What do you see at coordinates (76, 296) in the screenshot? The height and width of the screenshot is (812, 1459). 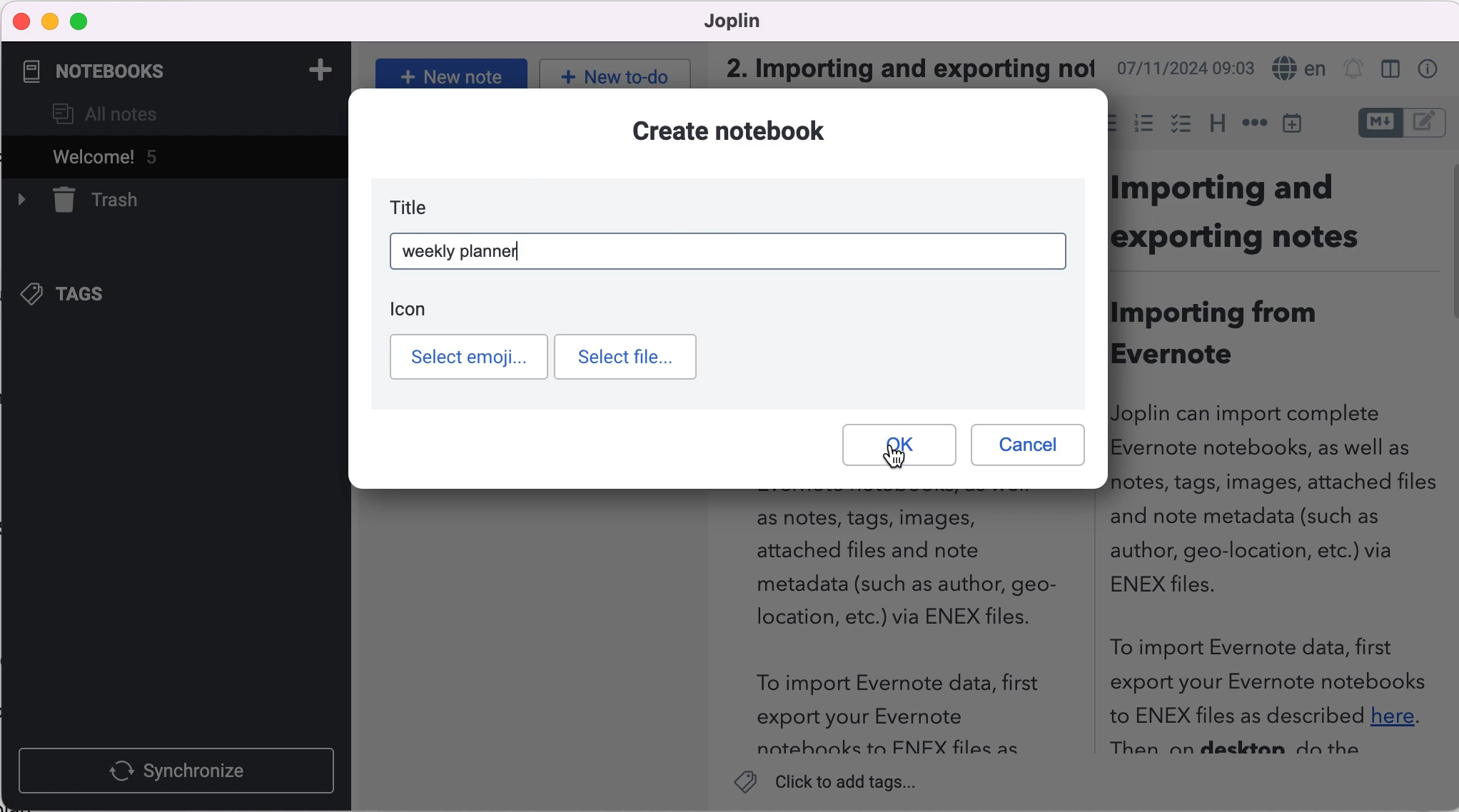 I see `tags` at bounding box center [76, 296].